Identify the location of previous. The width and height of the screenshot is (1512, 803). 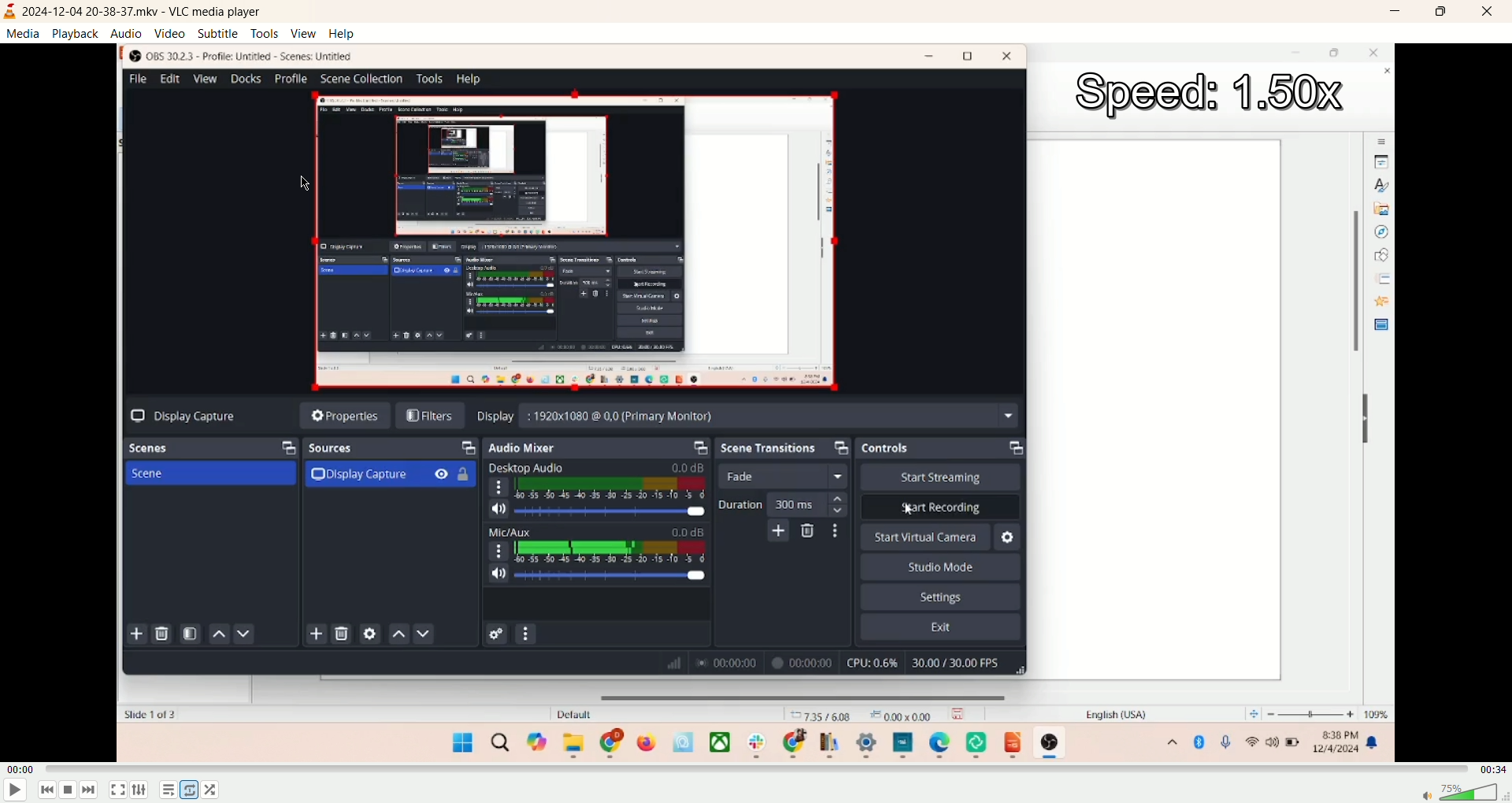
(46, 794).